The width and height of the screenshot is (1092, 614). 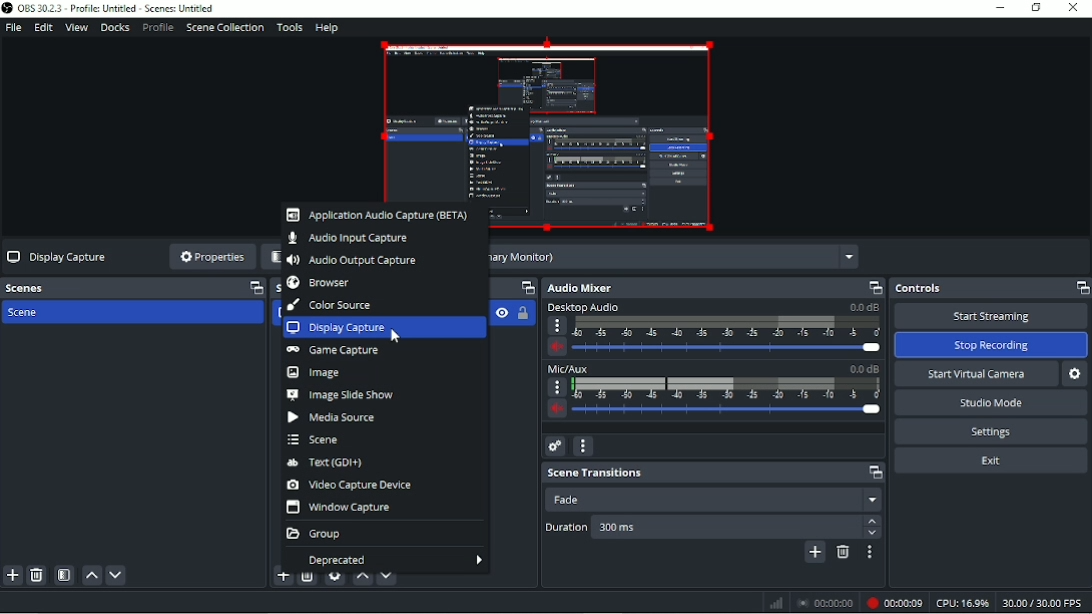 What do you see at coordinates (333, 418) in the screenshot?
I see `Media source` at bounding box center [333, 418].